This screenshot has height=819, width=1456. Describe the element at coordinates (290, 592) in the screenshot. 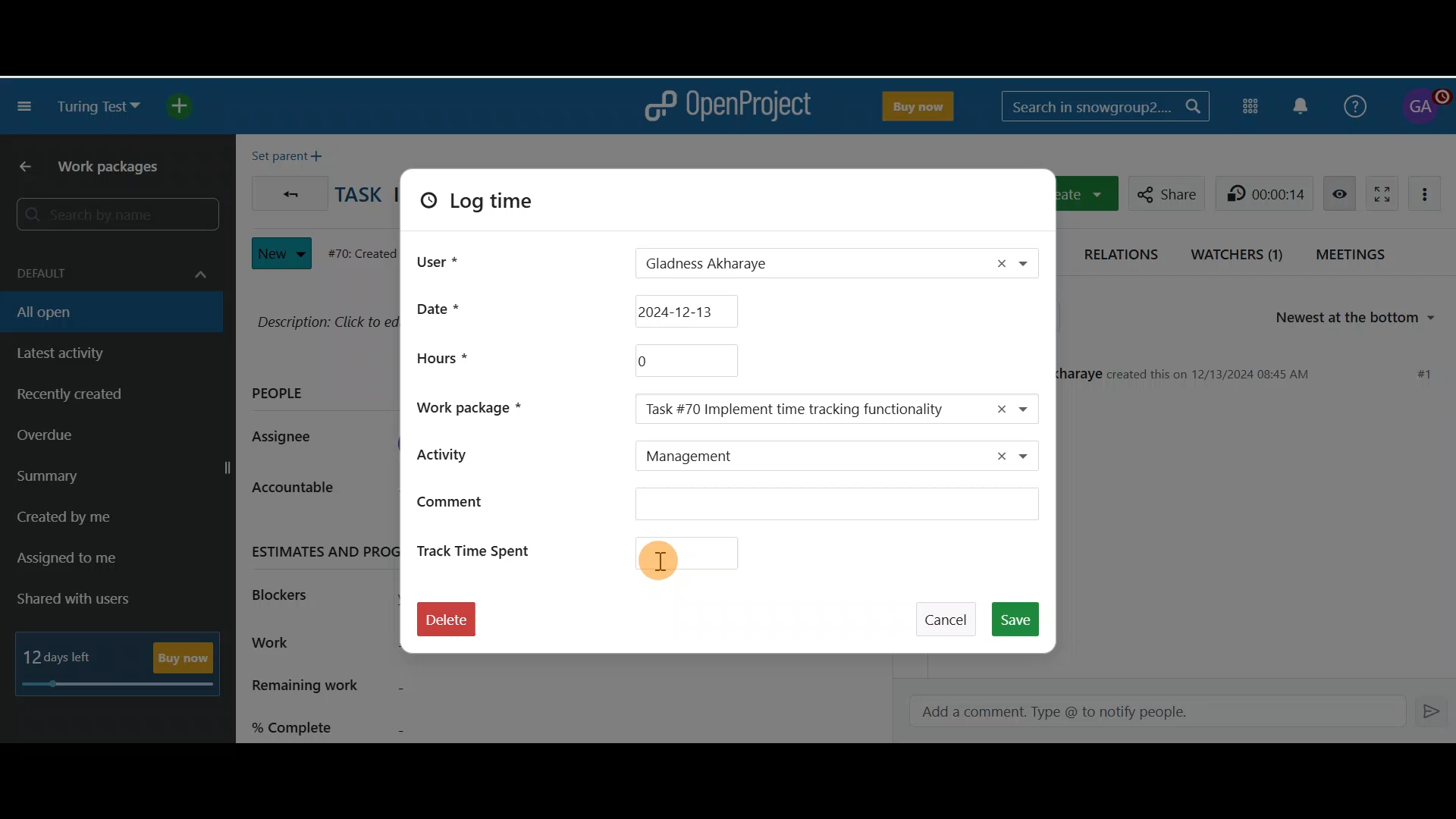

I see `Blockers` at that location.